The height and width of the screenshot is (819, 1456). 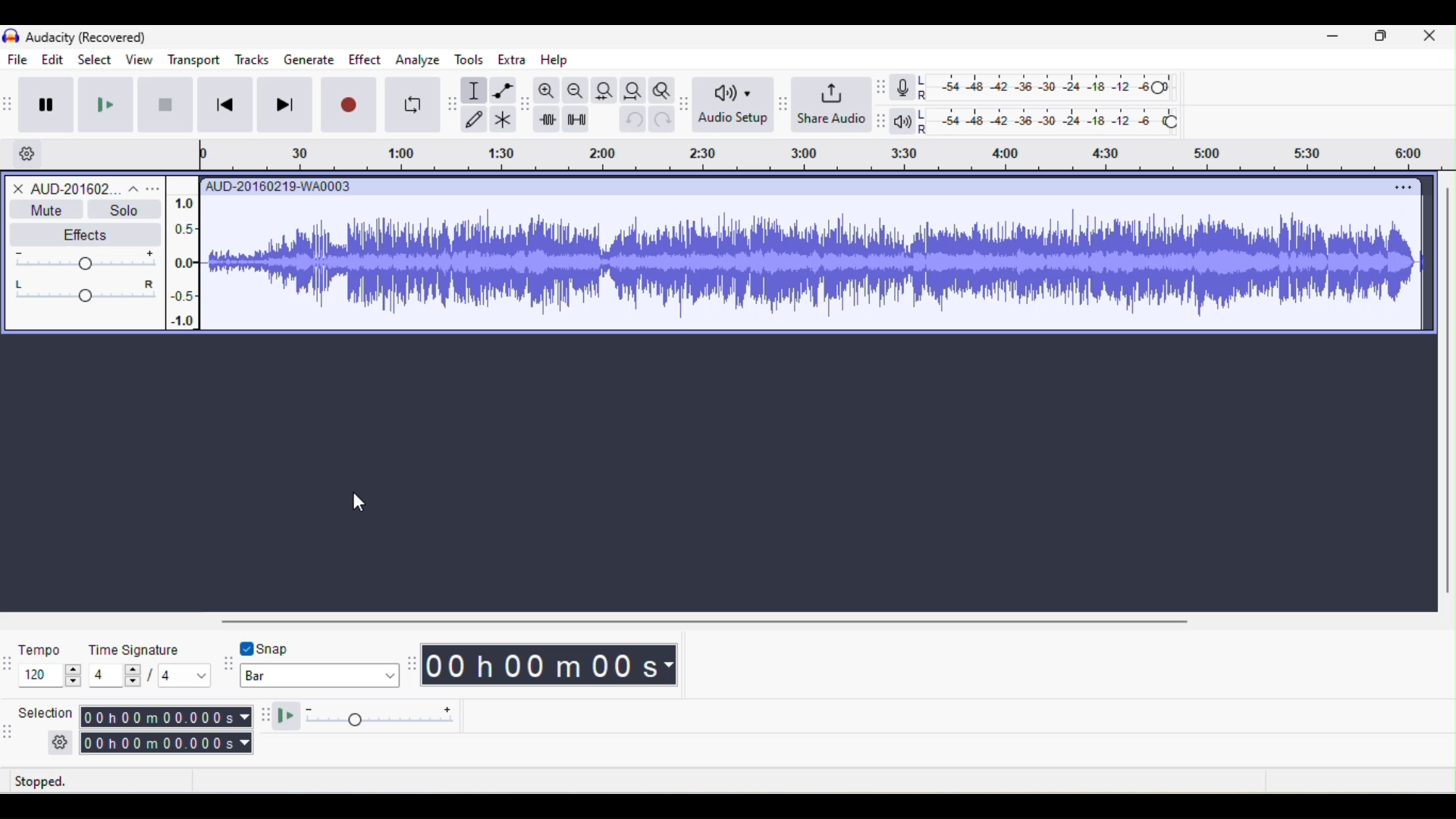 What do you see at coordinates (1382, 39) in the screenshot?
I see `Minimize/Maximize` at bounding box center [1382, 39].